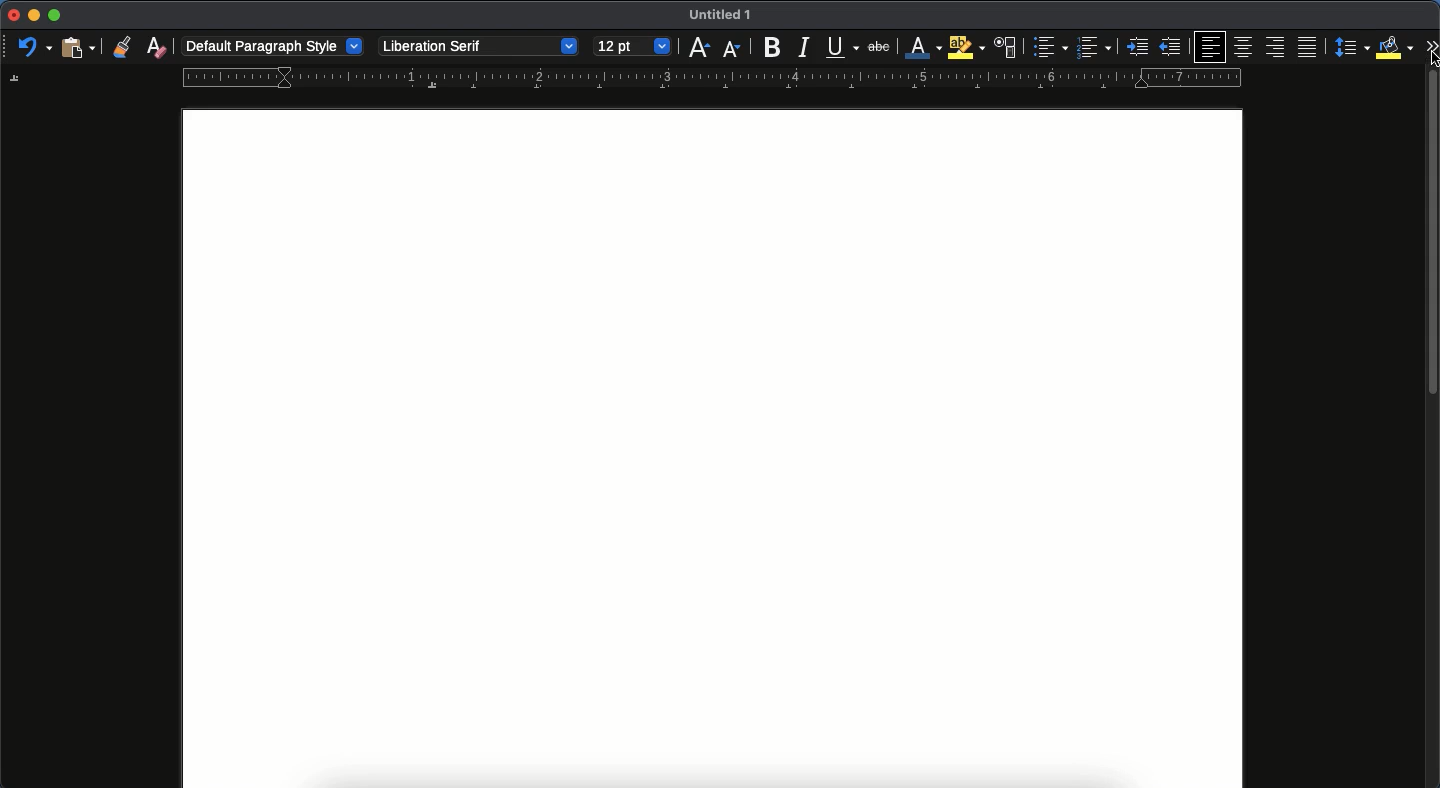  Describe the element at coordinates (879, 46) in the screenshot. I see `strikethrough ` at that location.